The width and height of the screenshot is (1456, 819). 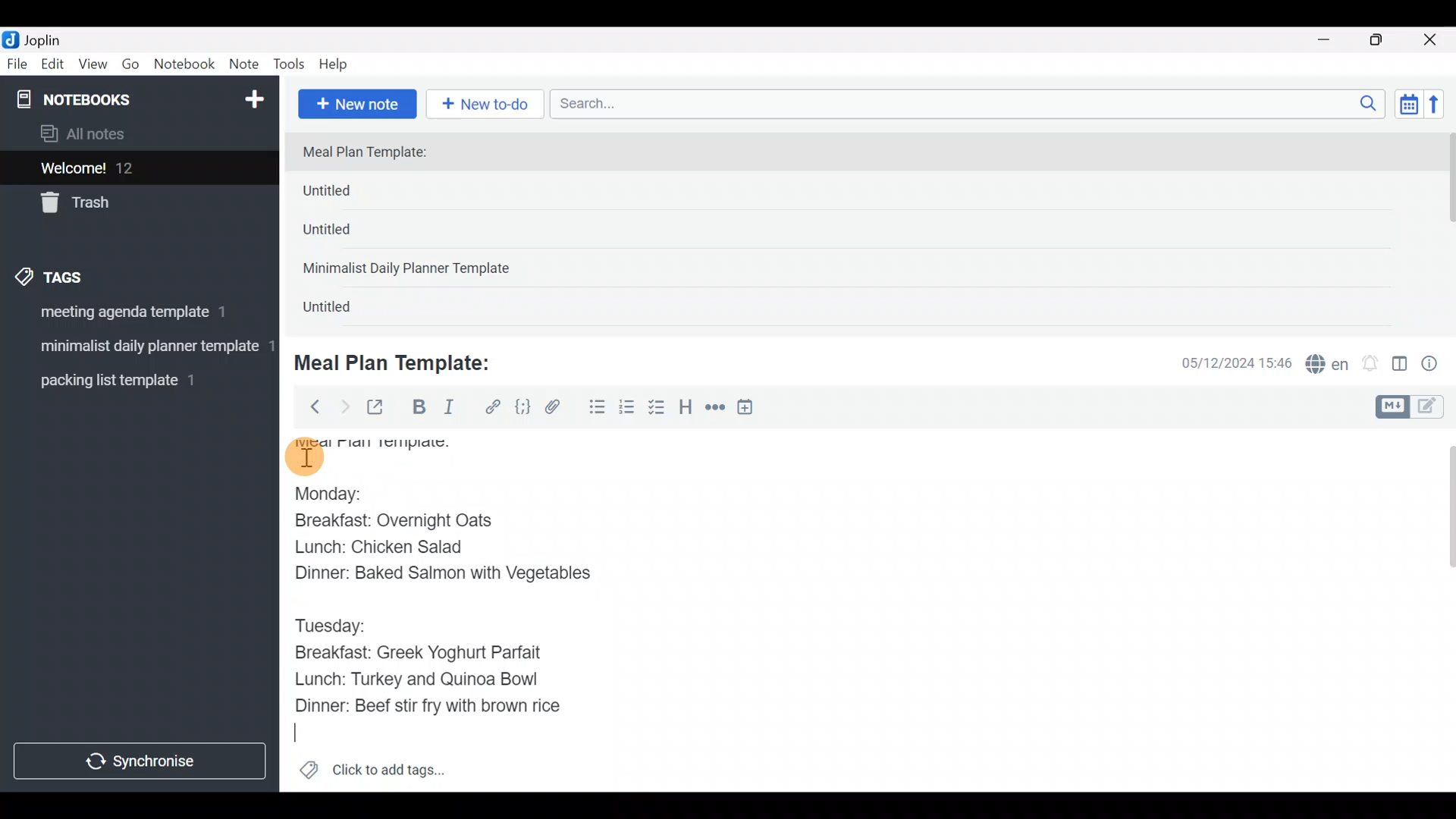 What do you see at coordinates (107, 99) in the screenshot?
I see `Notebooks` at bounding box center [107, 99].